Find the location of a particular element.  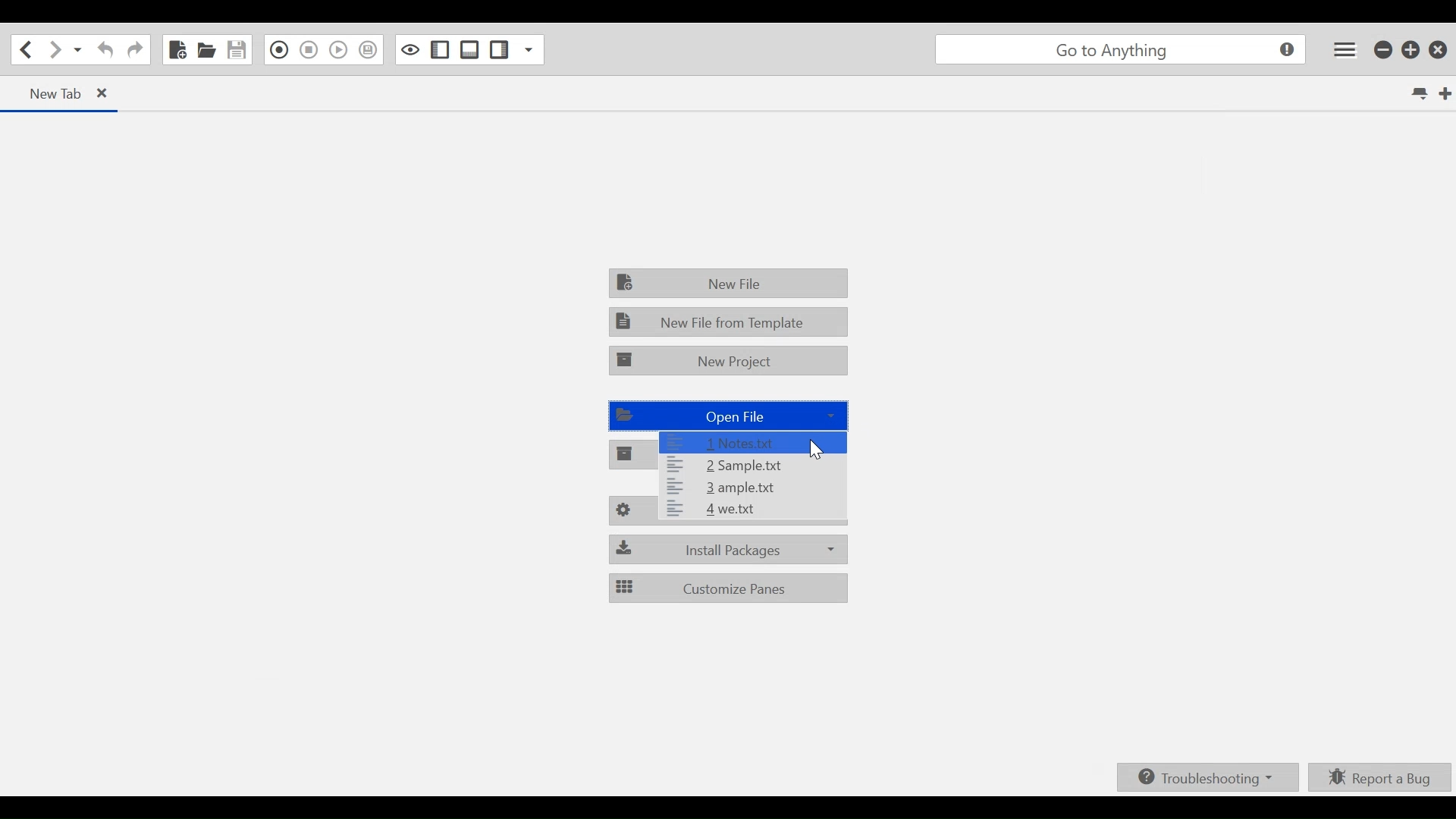

Cursor is located at coordinates (839, 434).